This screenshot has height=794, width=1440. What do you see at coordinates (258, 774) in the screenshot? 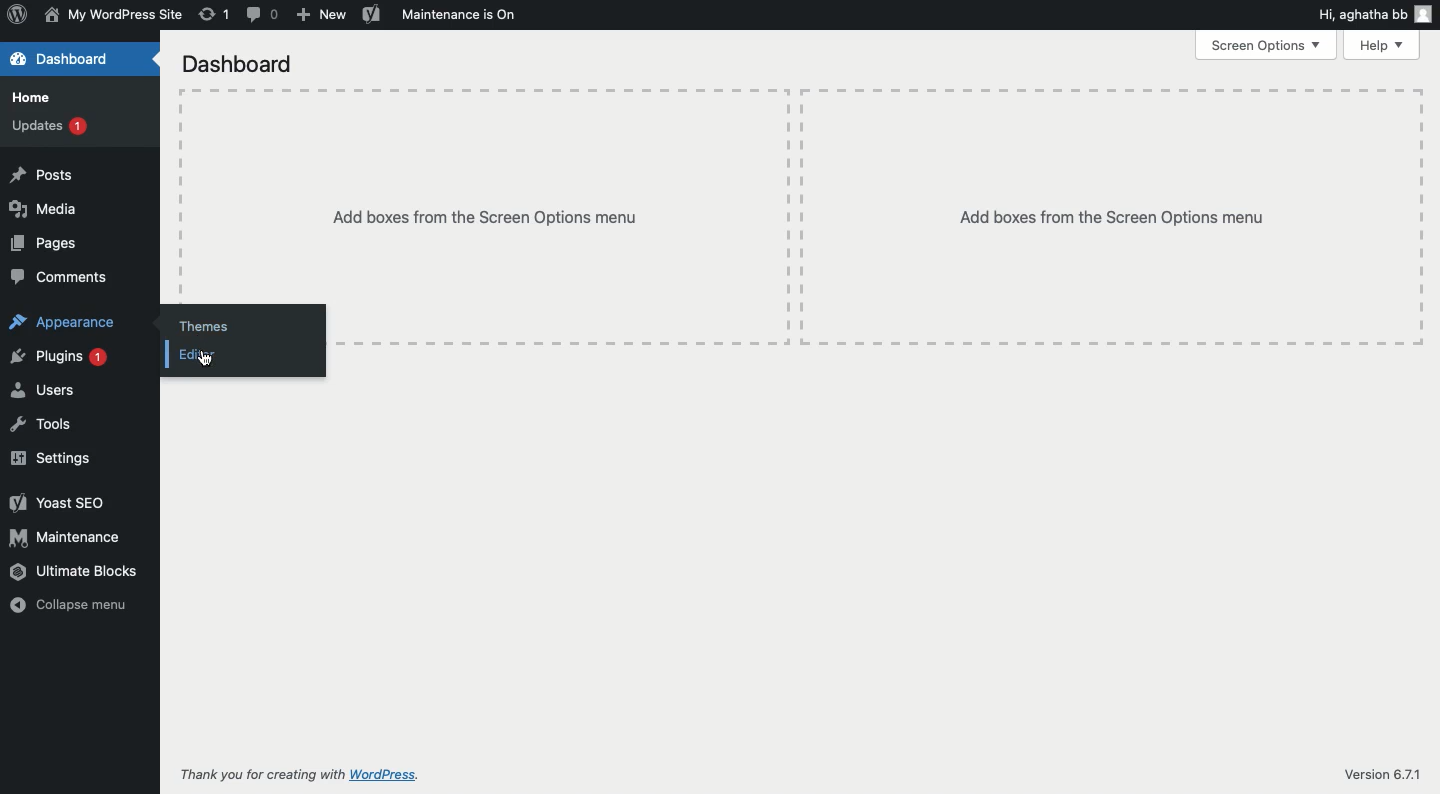
I see `Thank you for creating with` at bounding box center [258, 774].